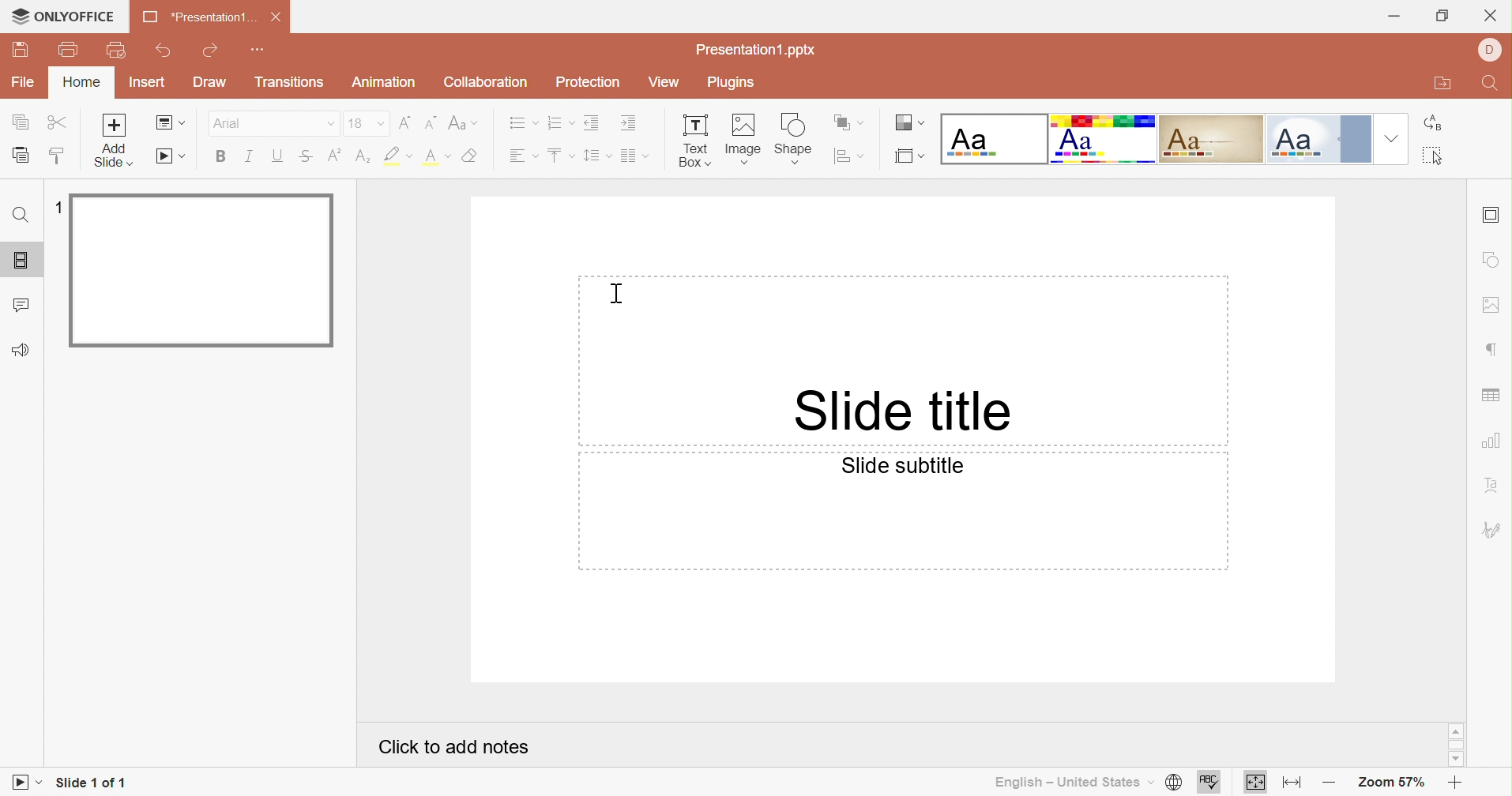 Image resolution: width=1512 pixels, height=796 pixels. I want to click on Slide title, so click(903, 411).